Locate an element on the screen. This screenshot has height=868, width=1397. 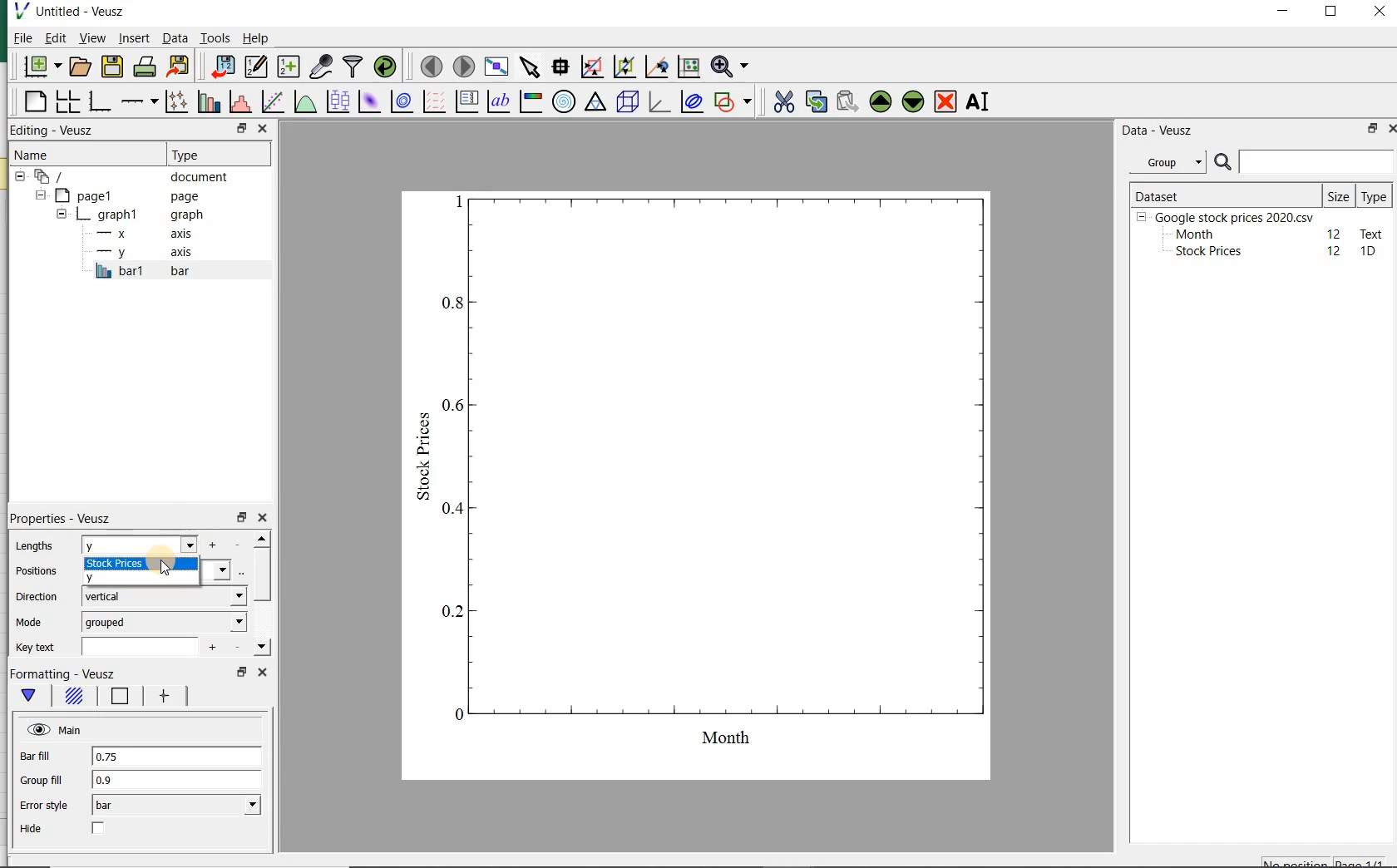
Group datasets with property given is located at coordinates (1163, 162).